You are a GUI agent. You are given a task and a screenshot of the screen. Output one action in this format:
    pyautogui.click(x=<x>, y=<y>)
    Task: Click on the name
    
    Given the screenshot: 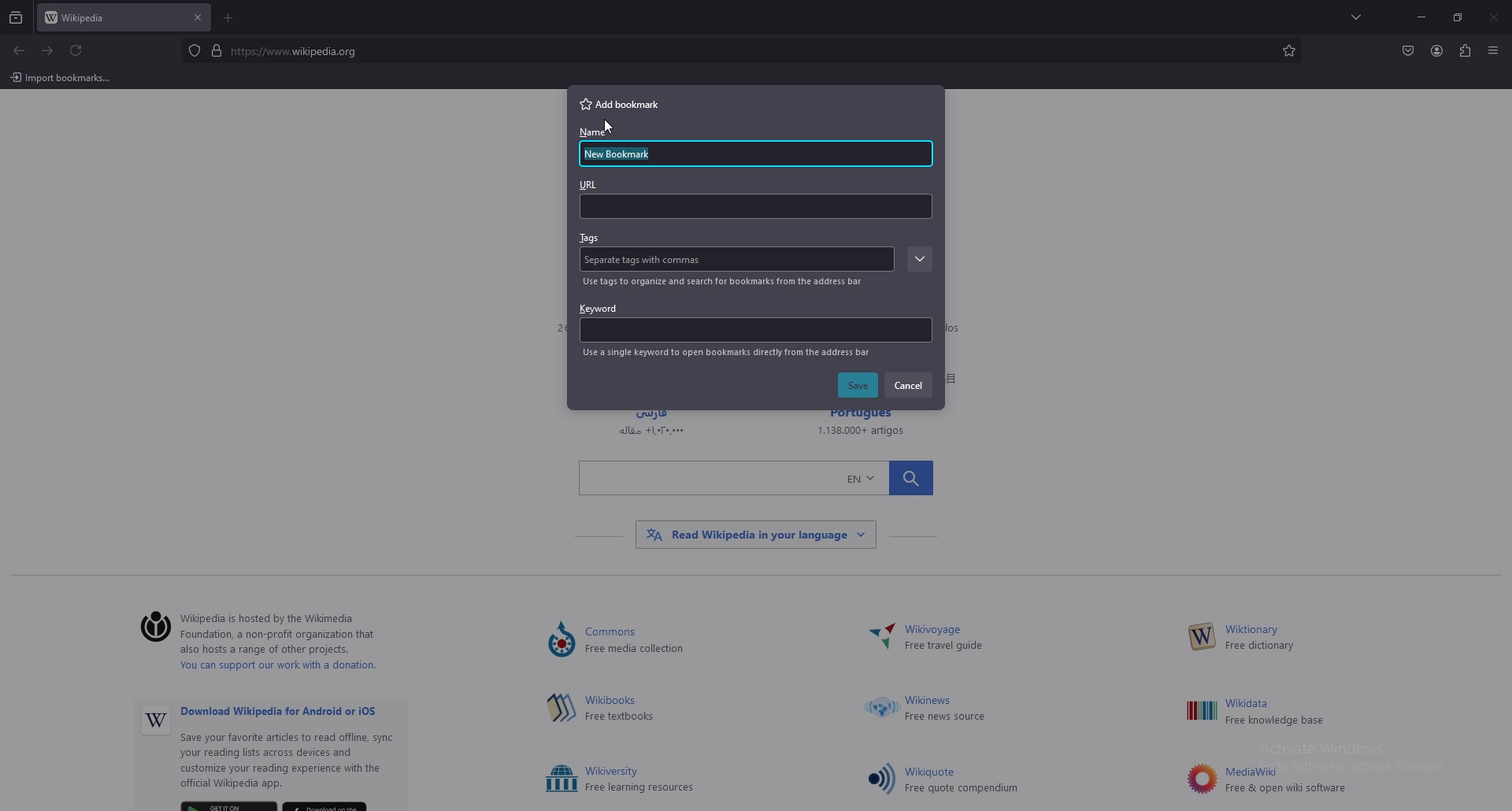 What is the action you would take?
    pyautogui.click(x=594, y=134)
    